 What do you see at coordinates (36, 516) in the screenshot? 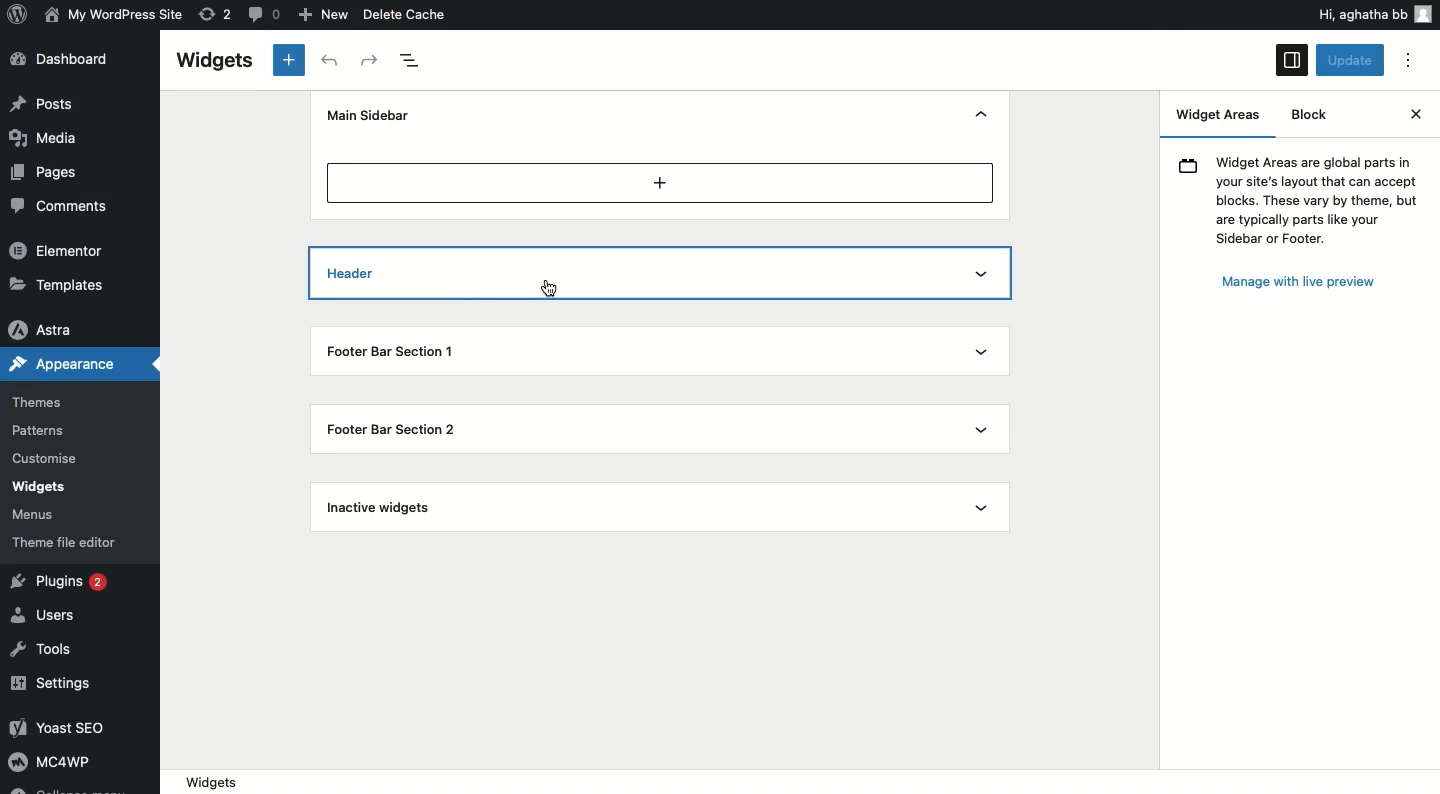
I see `Menus` at bounding box center [36, 516].